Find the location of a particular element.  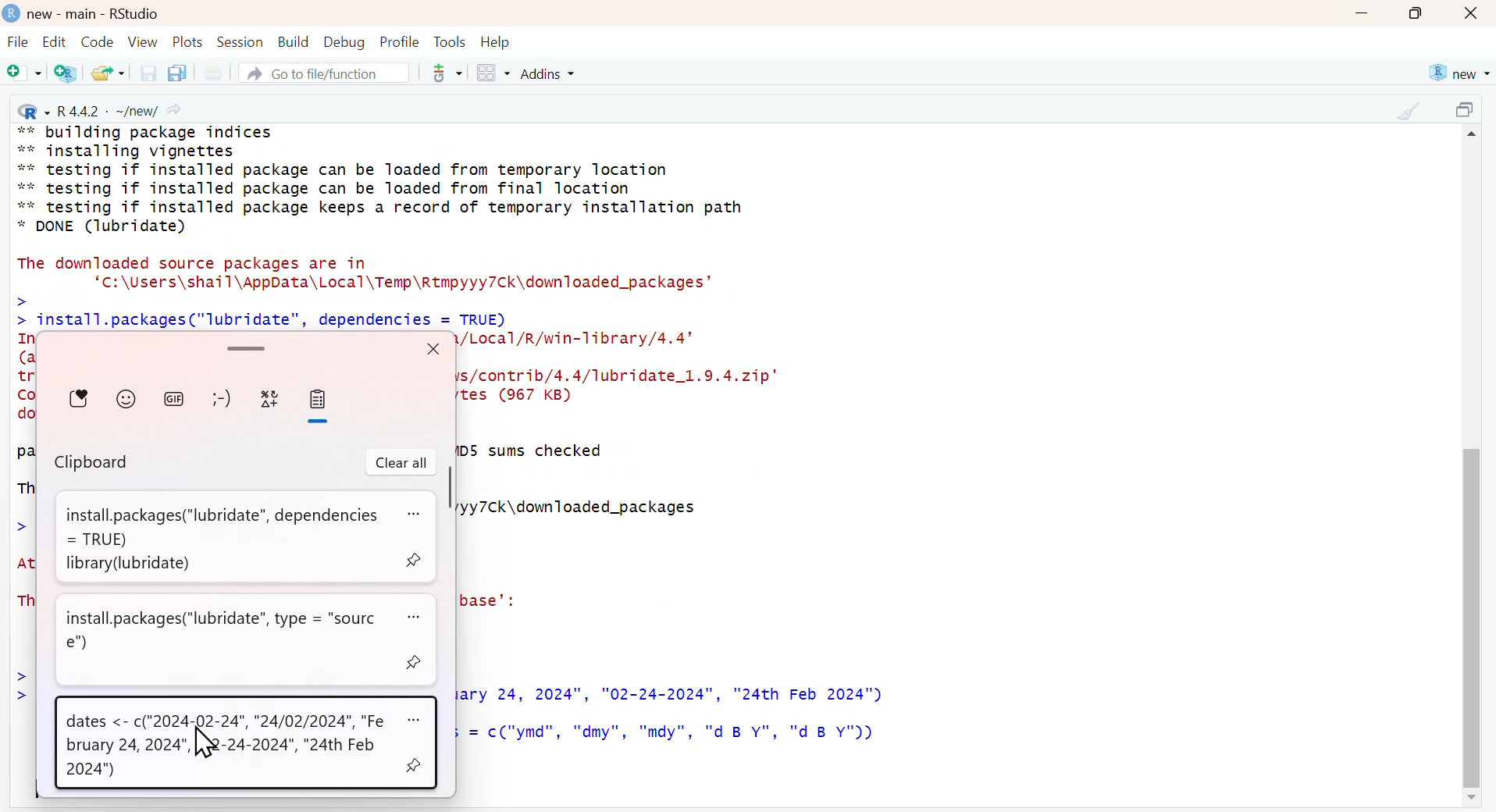

Go to file/function is located at coordinates (322, 73).